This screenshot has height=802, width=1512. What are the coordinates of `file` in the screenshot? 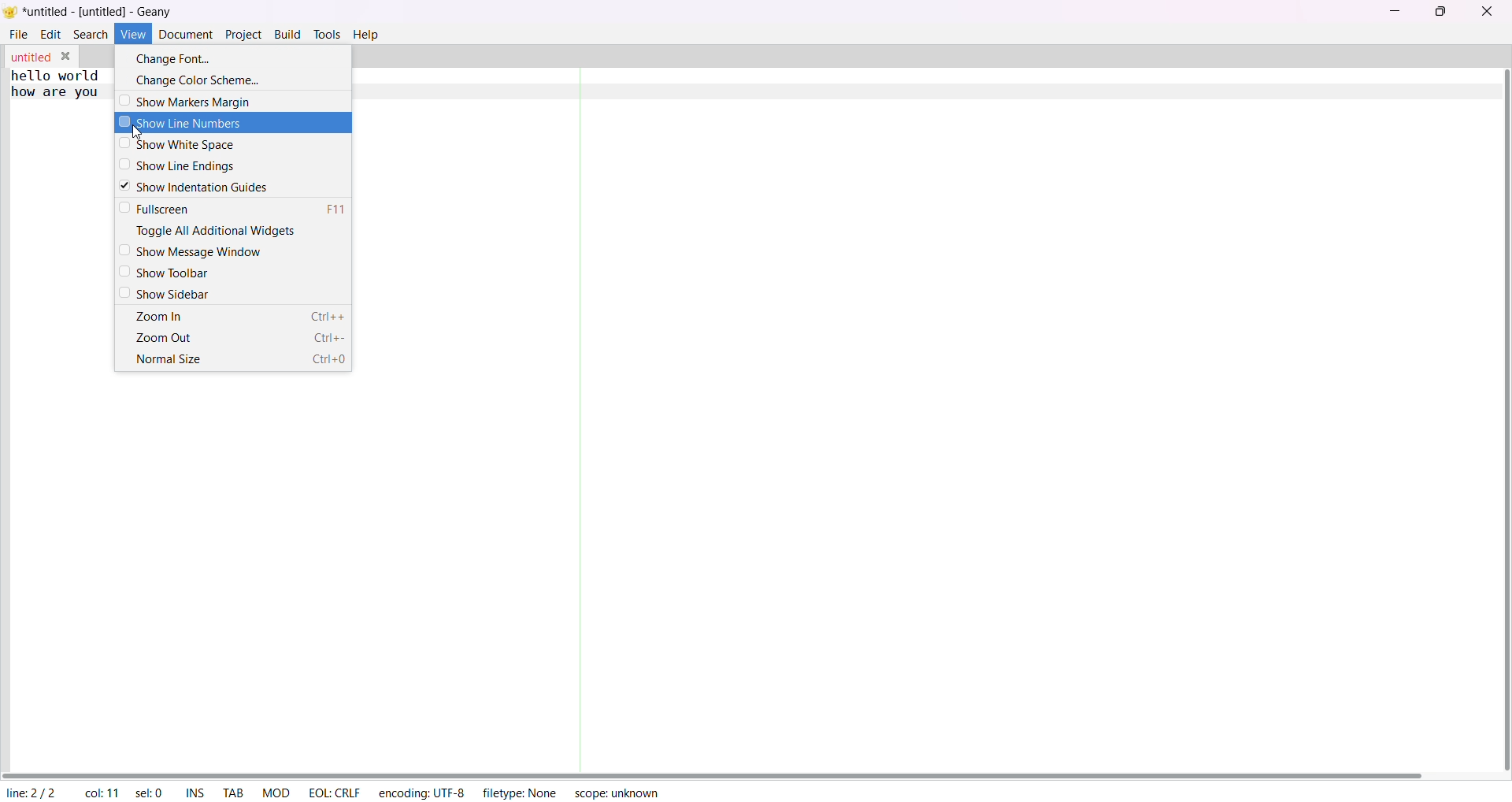 It's located at (20, 35).